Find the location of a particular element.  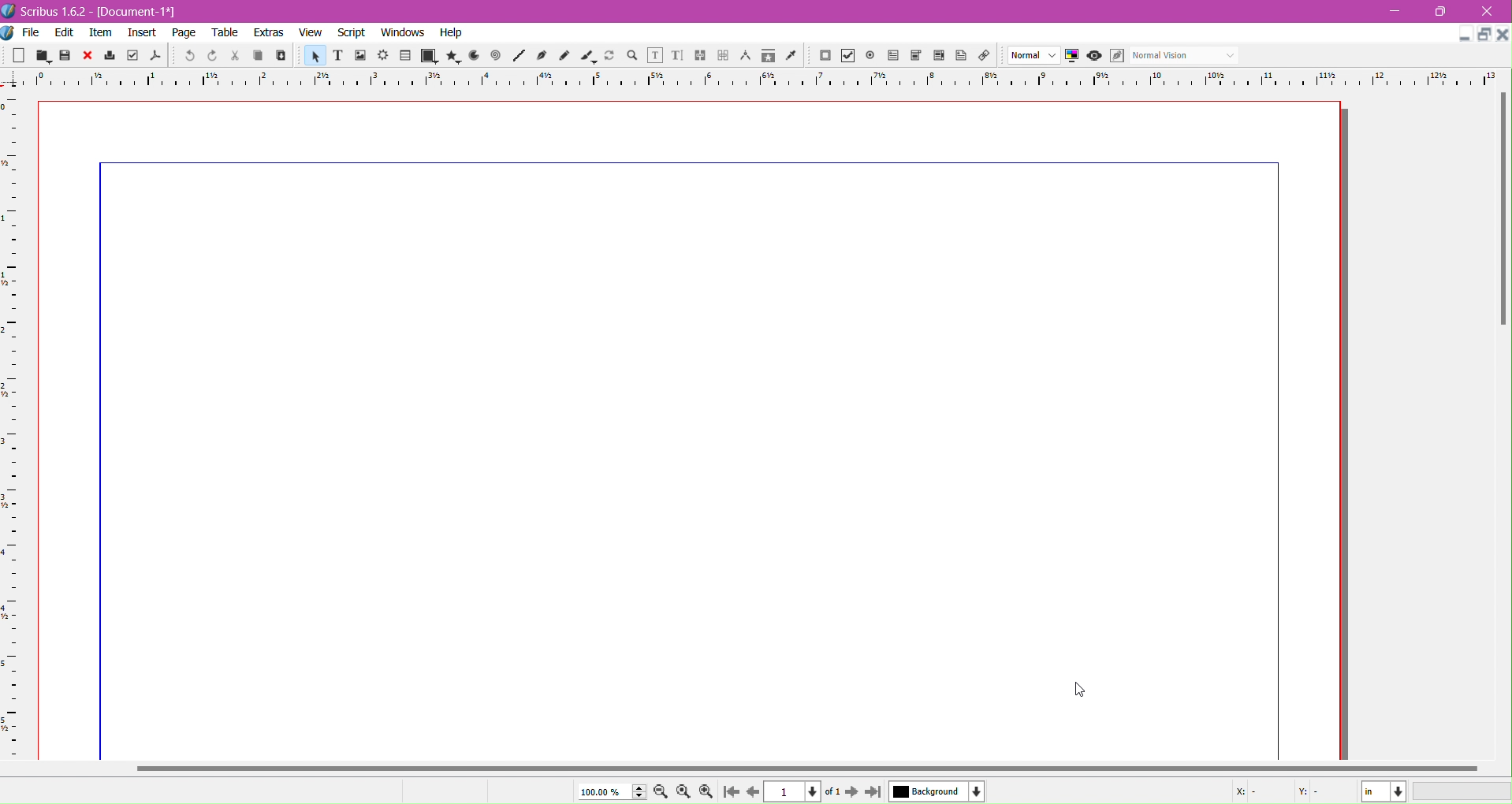

shape is located at coordinates (427, 57).